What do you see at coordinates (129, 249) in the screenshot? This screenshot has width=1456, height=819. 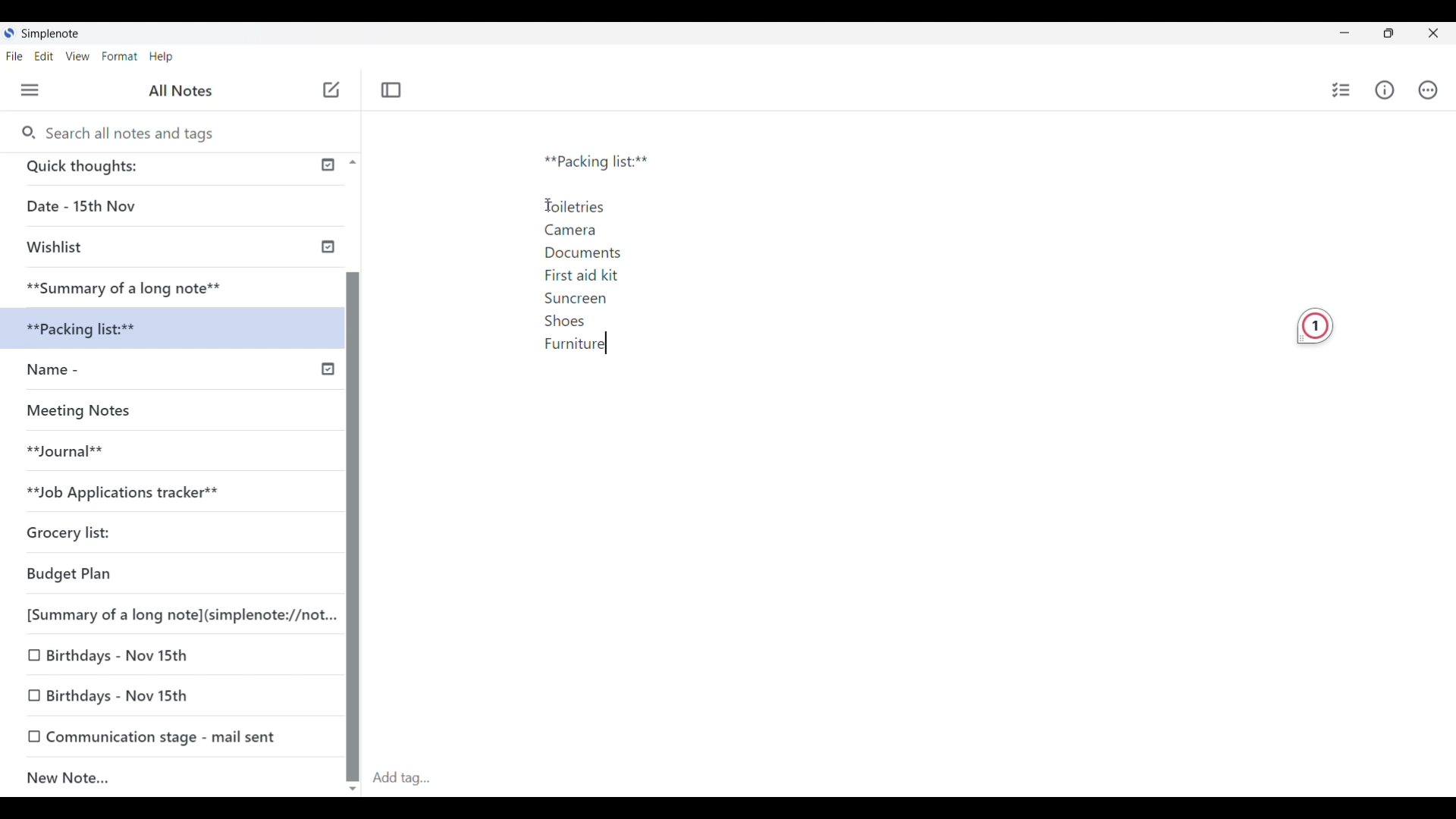 I see `Wishlist` at bounding box center [129, 249].